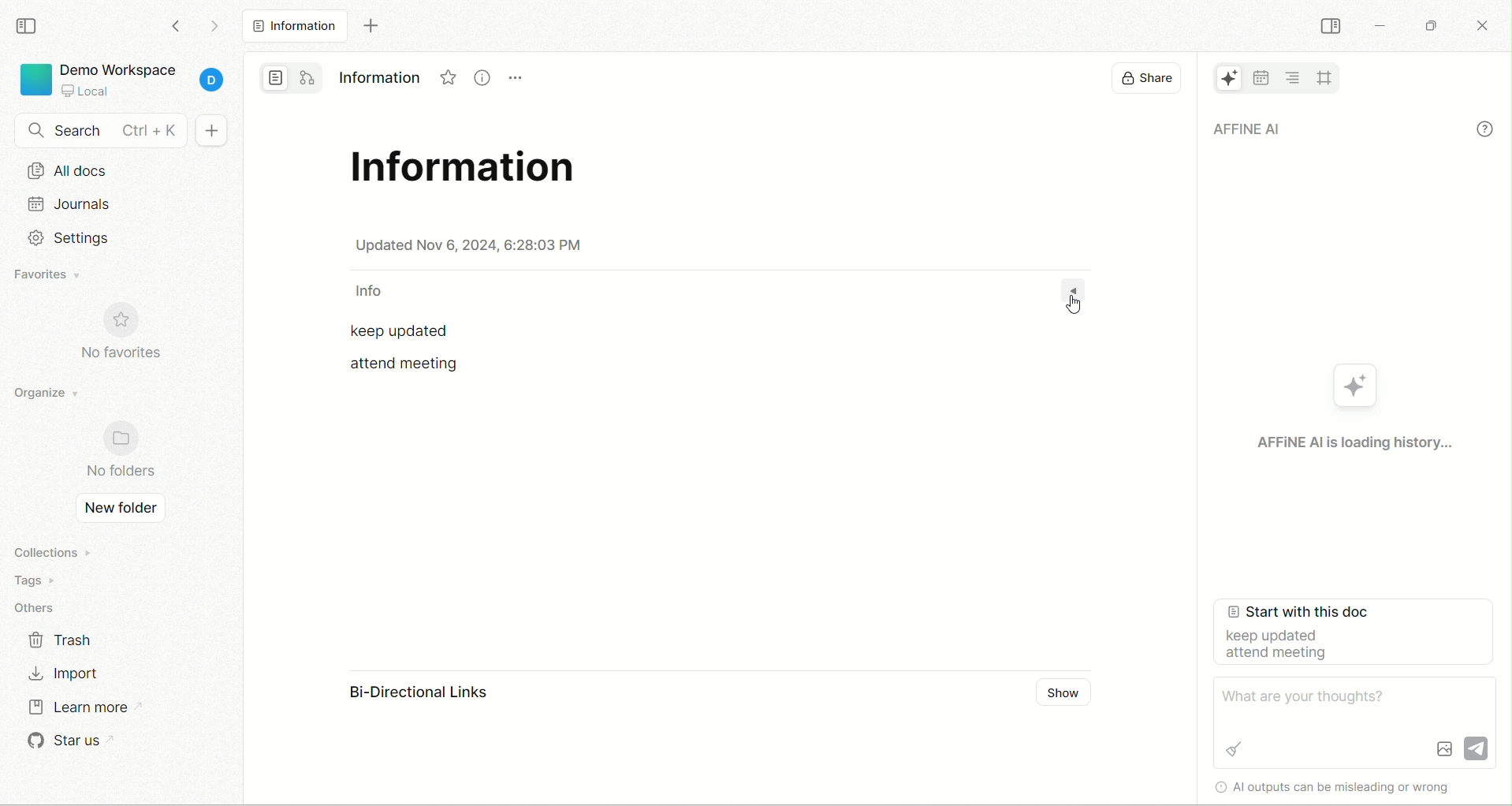 The width and height of the screenshot is (1512, 806). Describe the element at coordinates (1310, 696) in the screenshot. I see `What are your thoughts` at that location.